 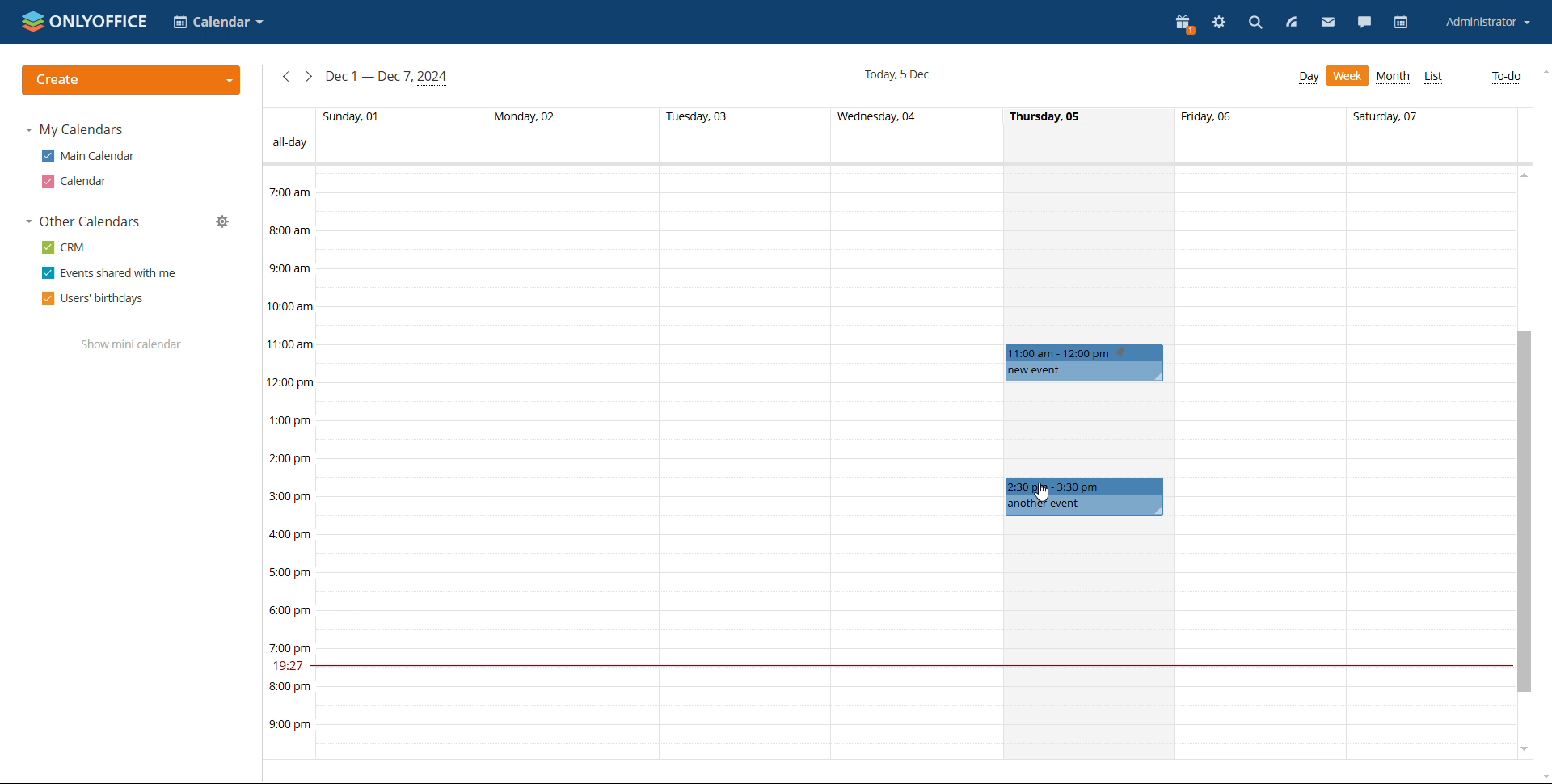 What do you see at coordinates (1086, 507) in the screenshot?
I see `another event` at bounding box center [1086, 507].